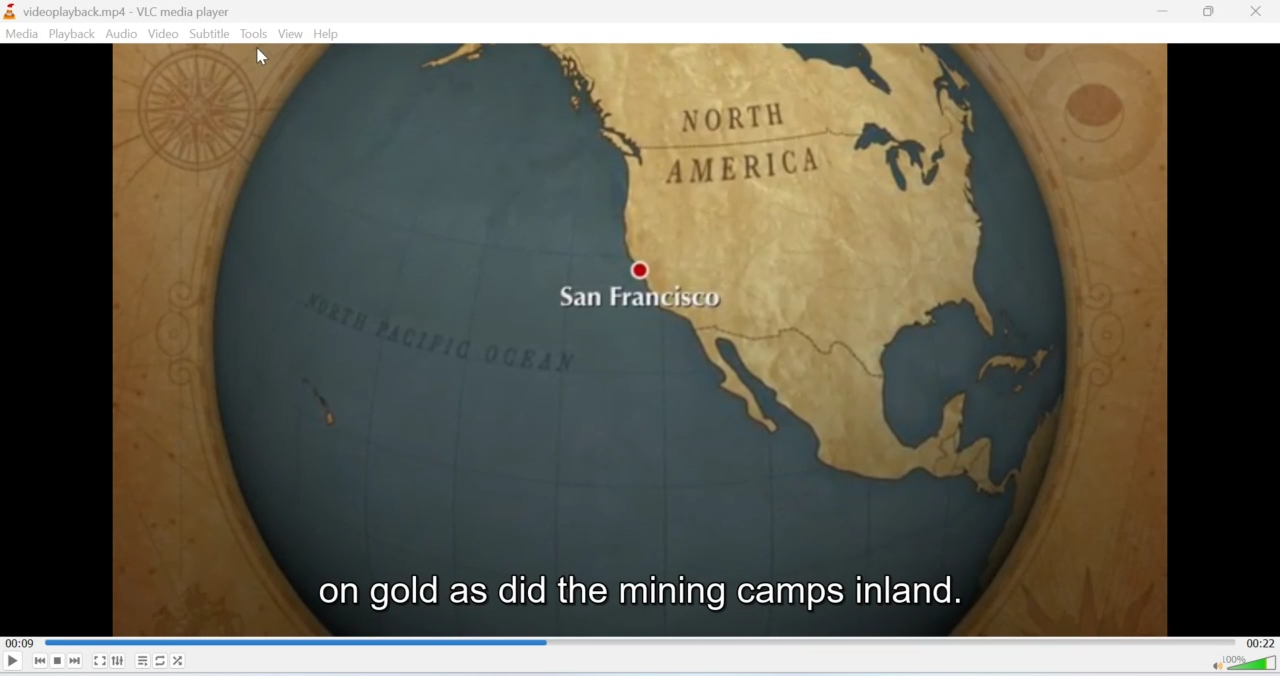 This screenshot has width=1280, height=676. I want to click on Play/Pause, so click(13, 660).